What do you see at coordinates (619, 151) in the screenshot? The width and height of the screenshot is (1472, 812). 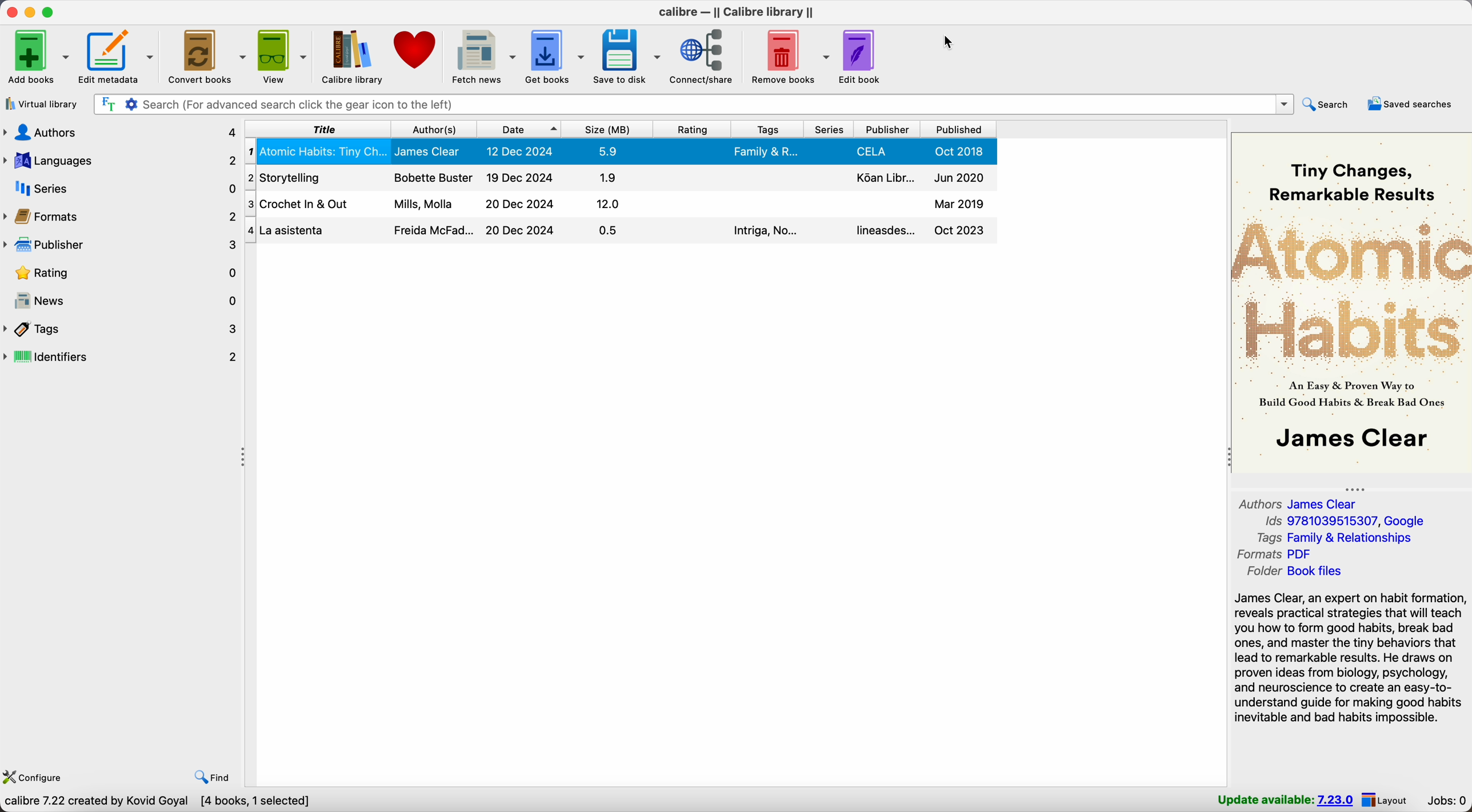 I see `Atomic Habits book details` at bounding box center [619, 151].